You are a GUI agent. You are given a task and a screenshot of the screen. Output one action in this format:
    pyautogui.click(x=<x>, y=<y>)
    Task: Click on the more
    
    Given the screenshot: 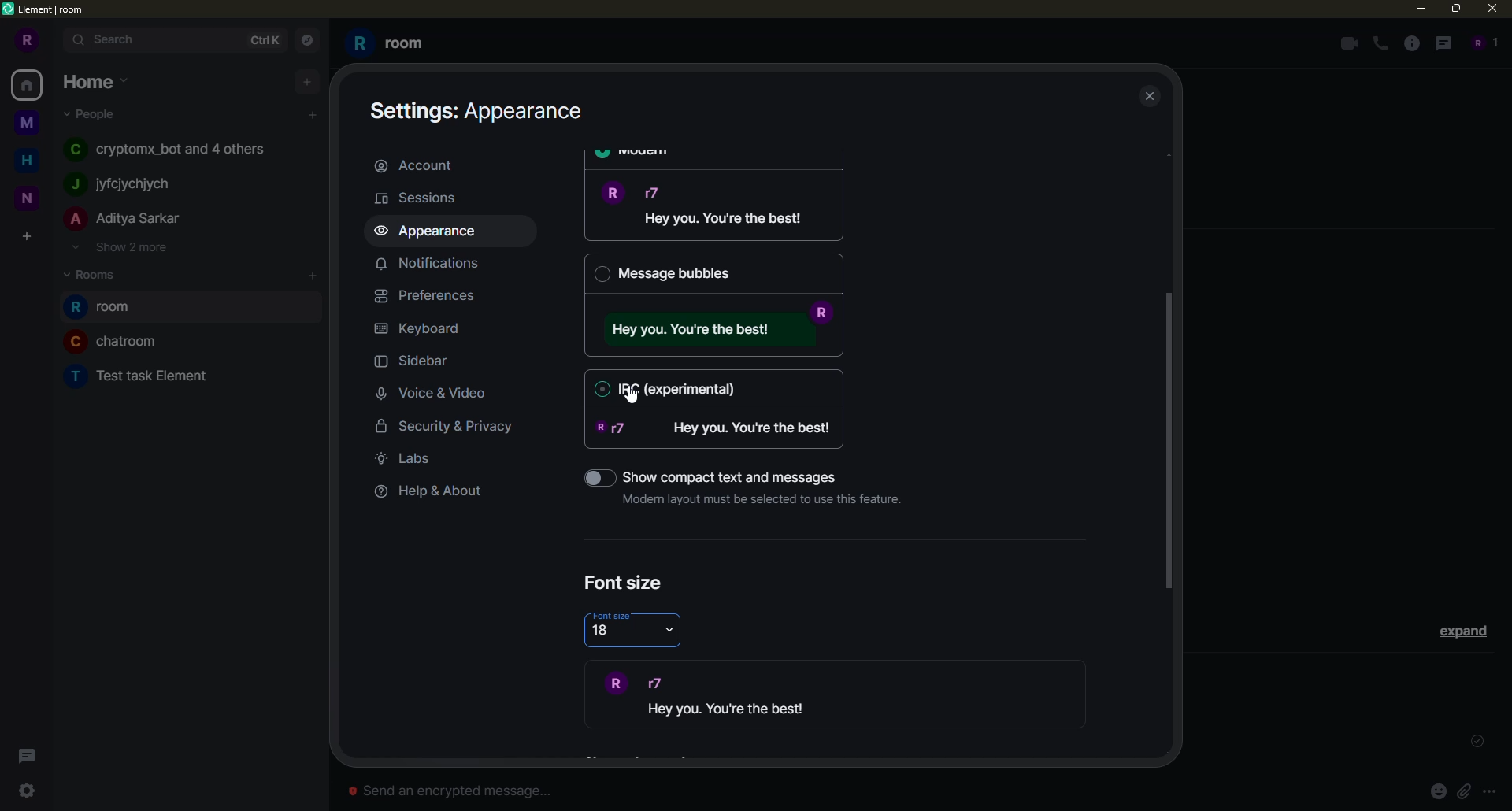 What is the action you would take?
    pyautogui.click(x=1490, y=792)
    